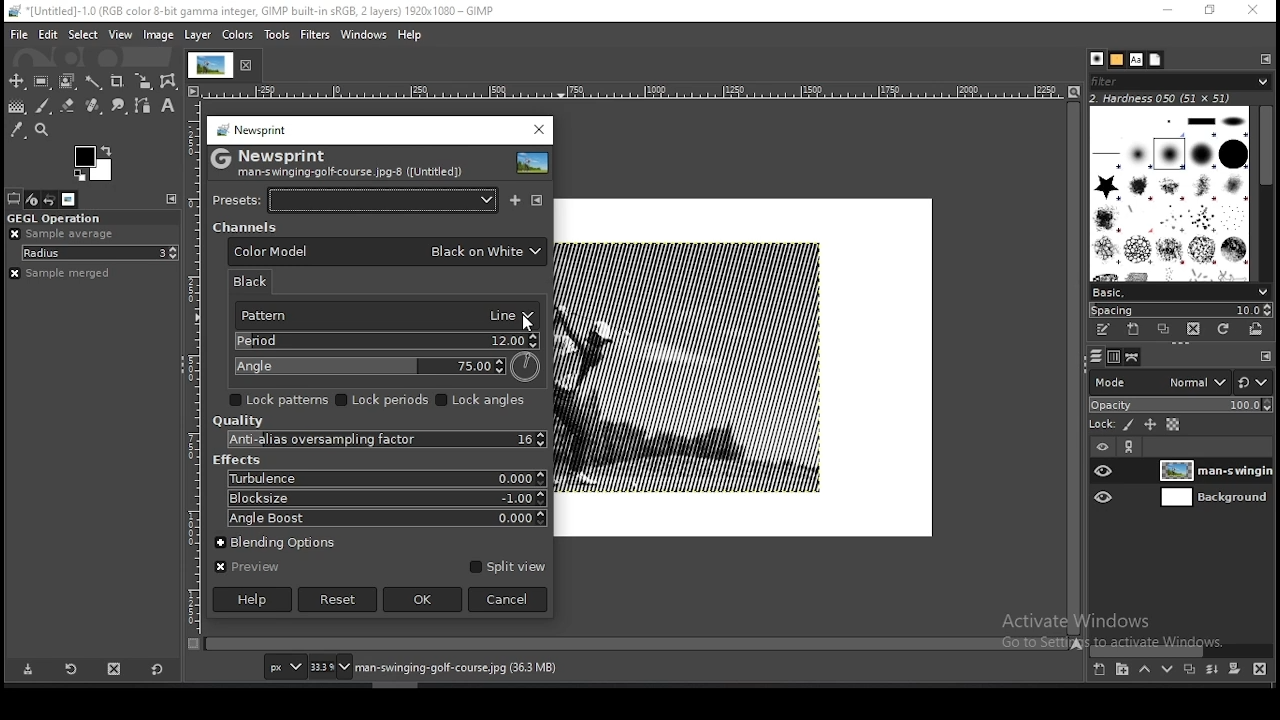  Describe the element at coordinates (1180, 404) in the screenshot. I see `opacity` at that location.